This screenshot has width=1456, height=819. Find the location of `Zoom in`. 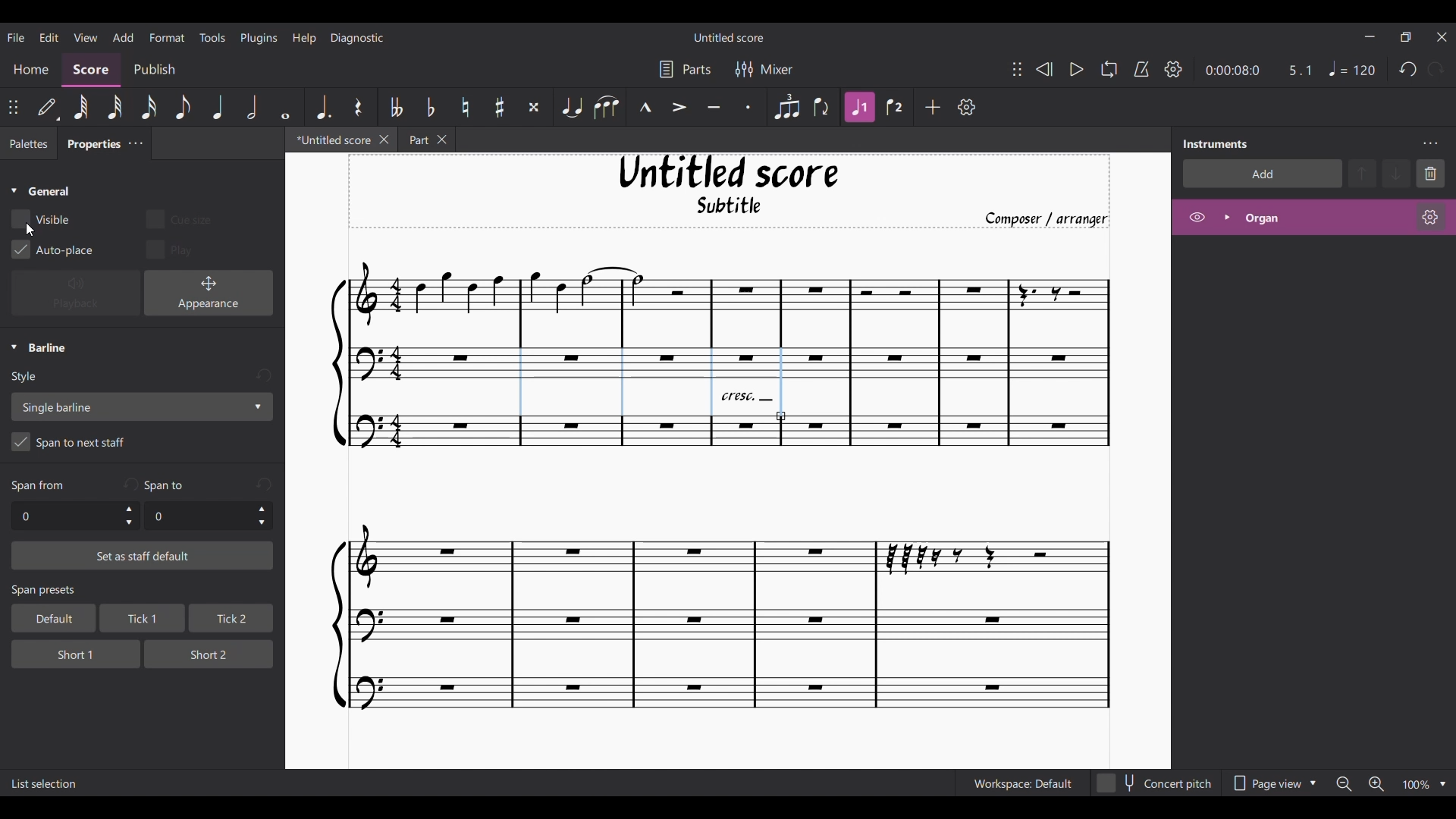

Zoom in is located at coordinates (1376, 785).